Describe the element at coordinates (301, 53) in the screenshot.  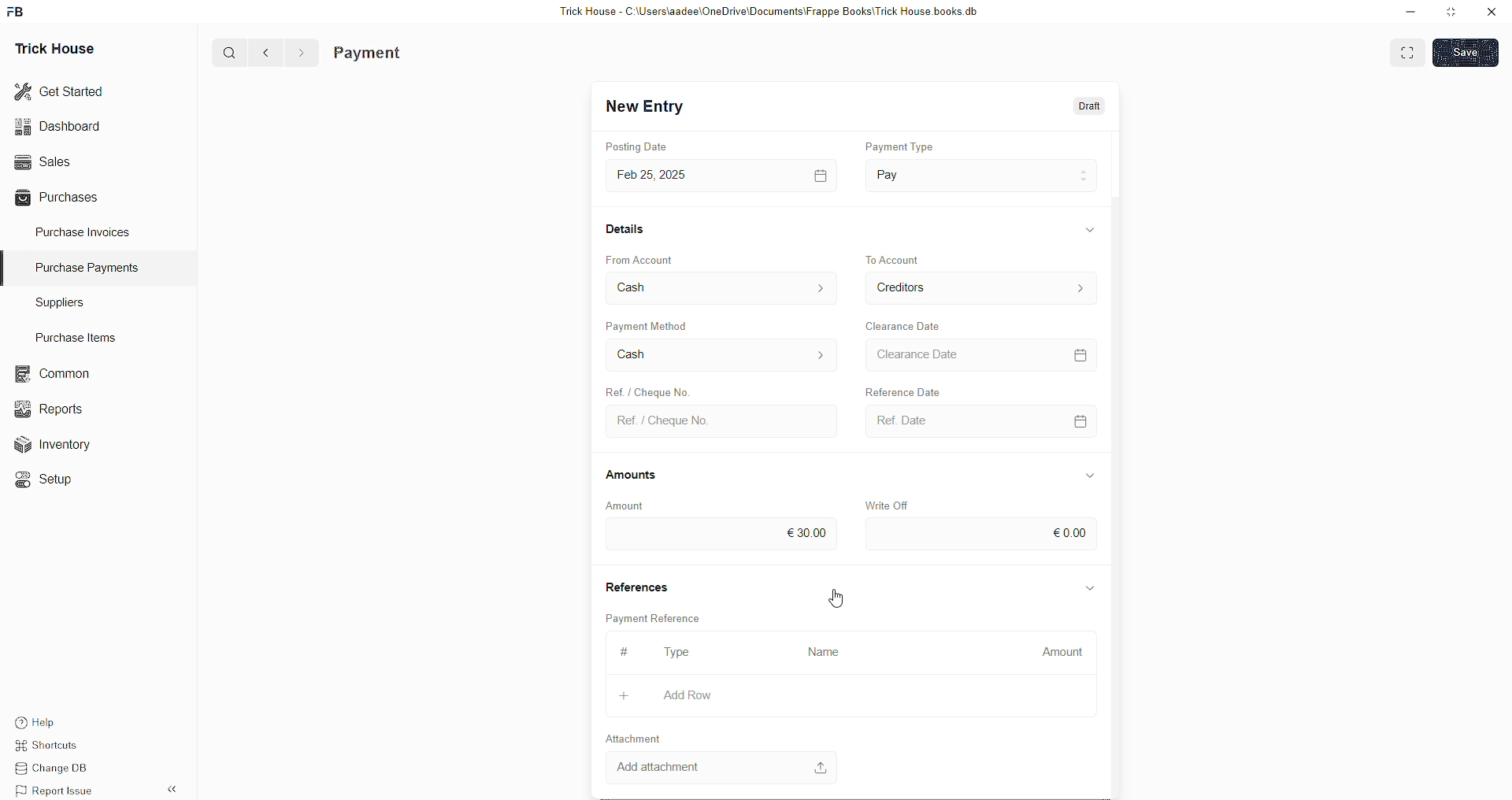
I see `>` at that location.